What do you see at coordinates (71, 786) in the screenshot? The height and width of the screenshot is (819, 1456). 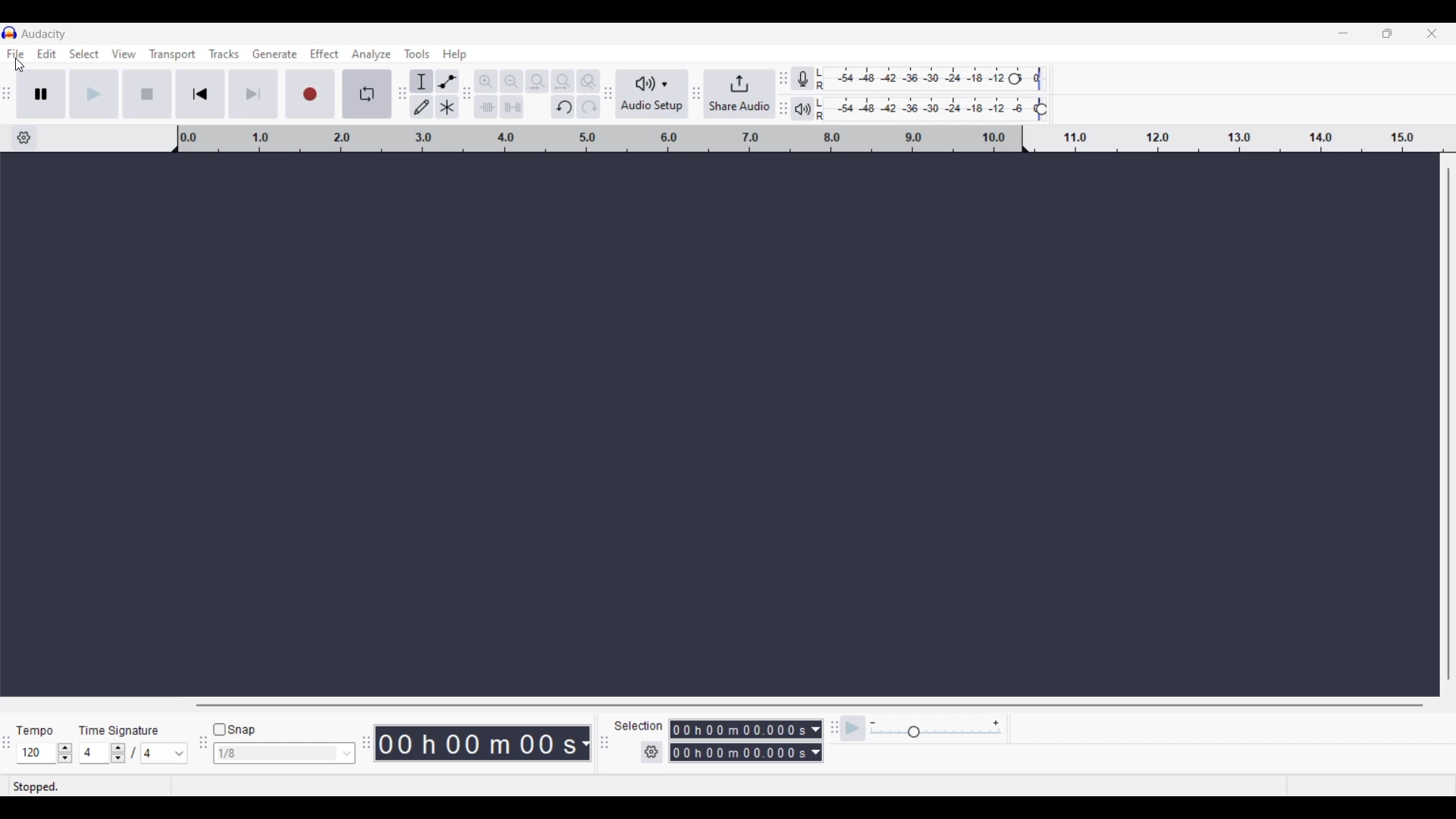 I see `Status of recording` at bounding box center [71, 786].